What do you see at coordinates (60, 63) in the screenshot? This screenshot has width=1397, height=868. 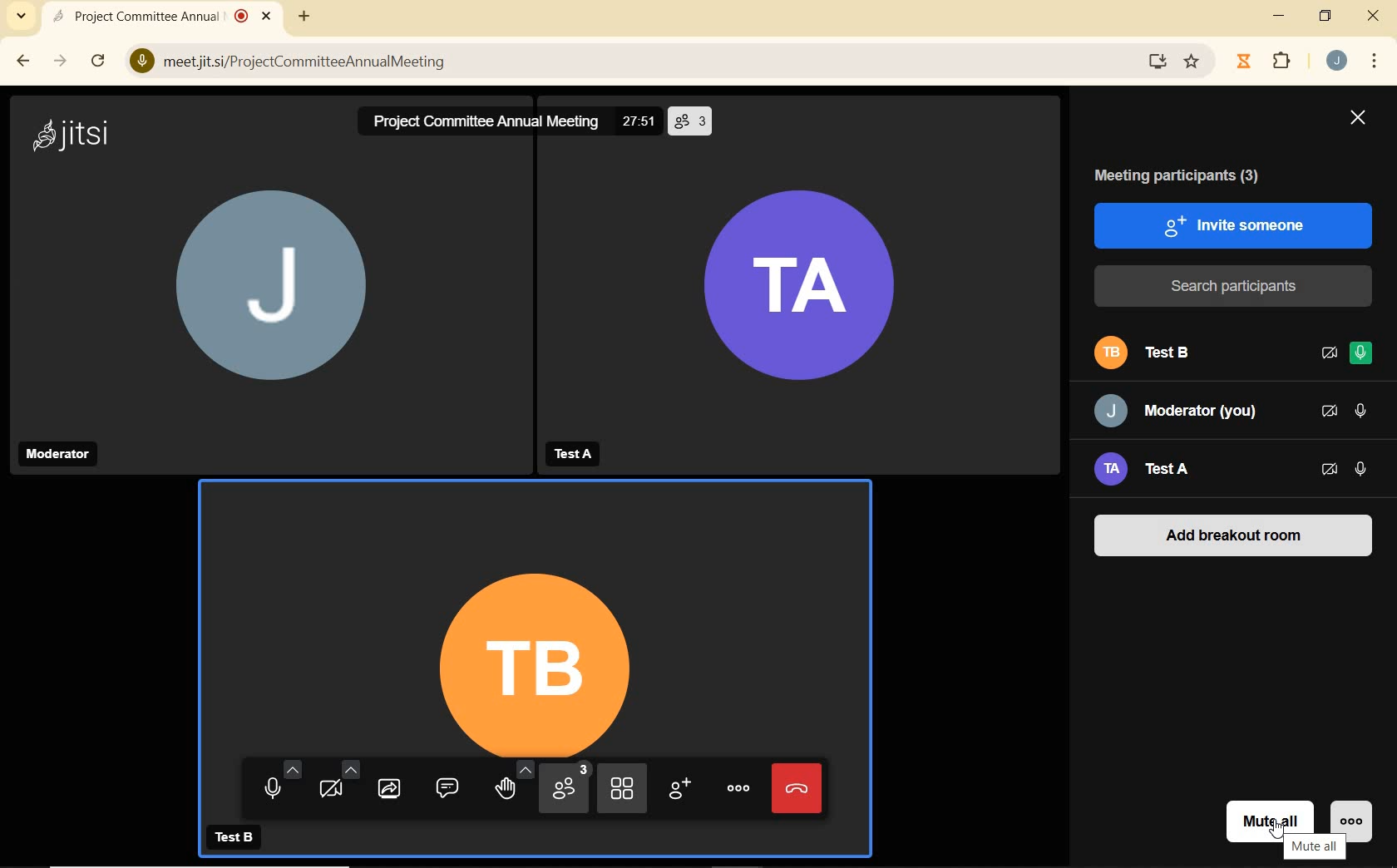 I see `FORWARD` at bounding box center [60, 63].